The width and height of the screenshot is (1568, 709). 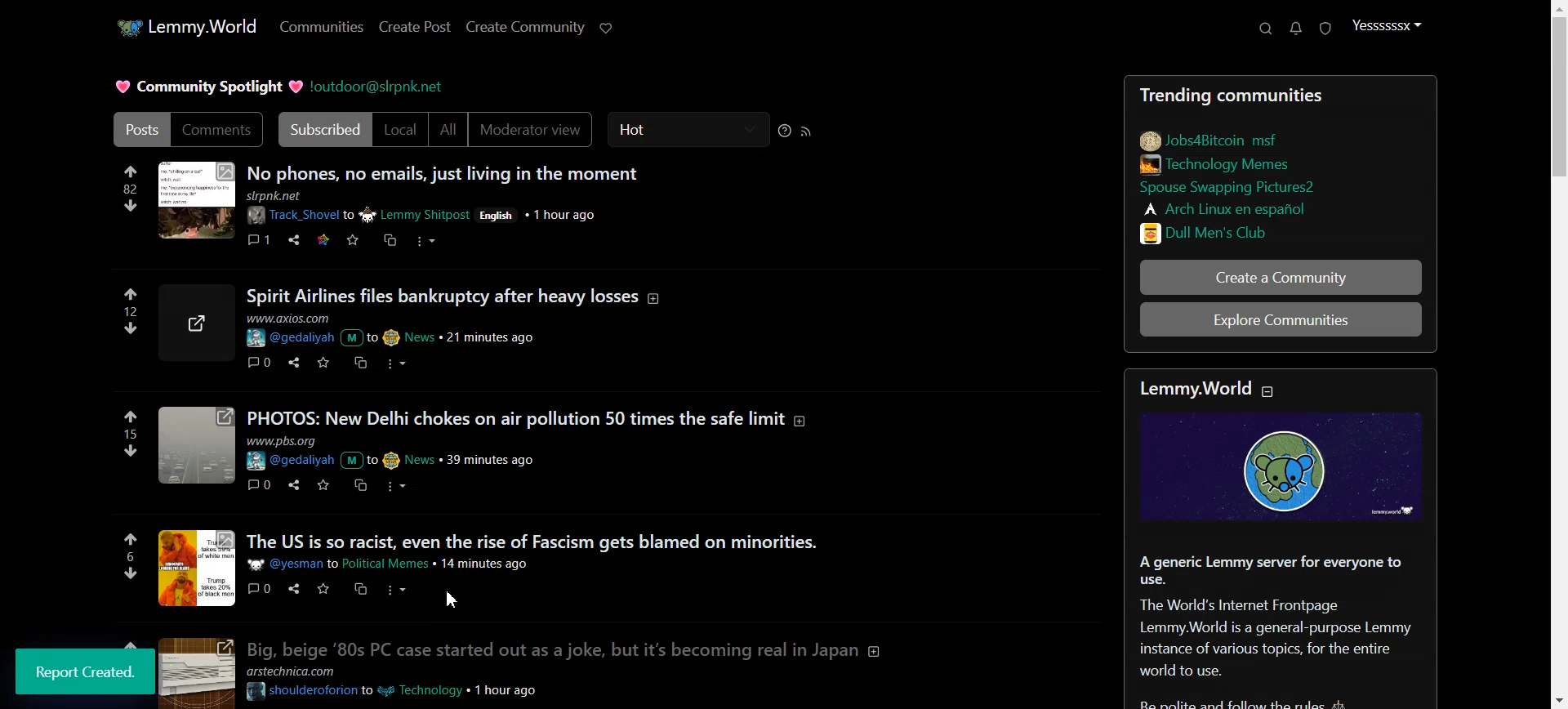 I want to click on downvote, so click(x=127, y=573).